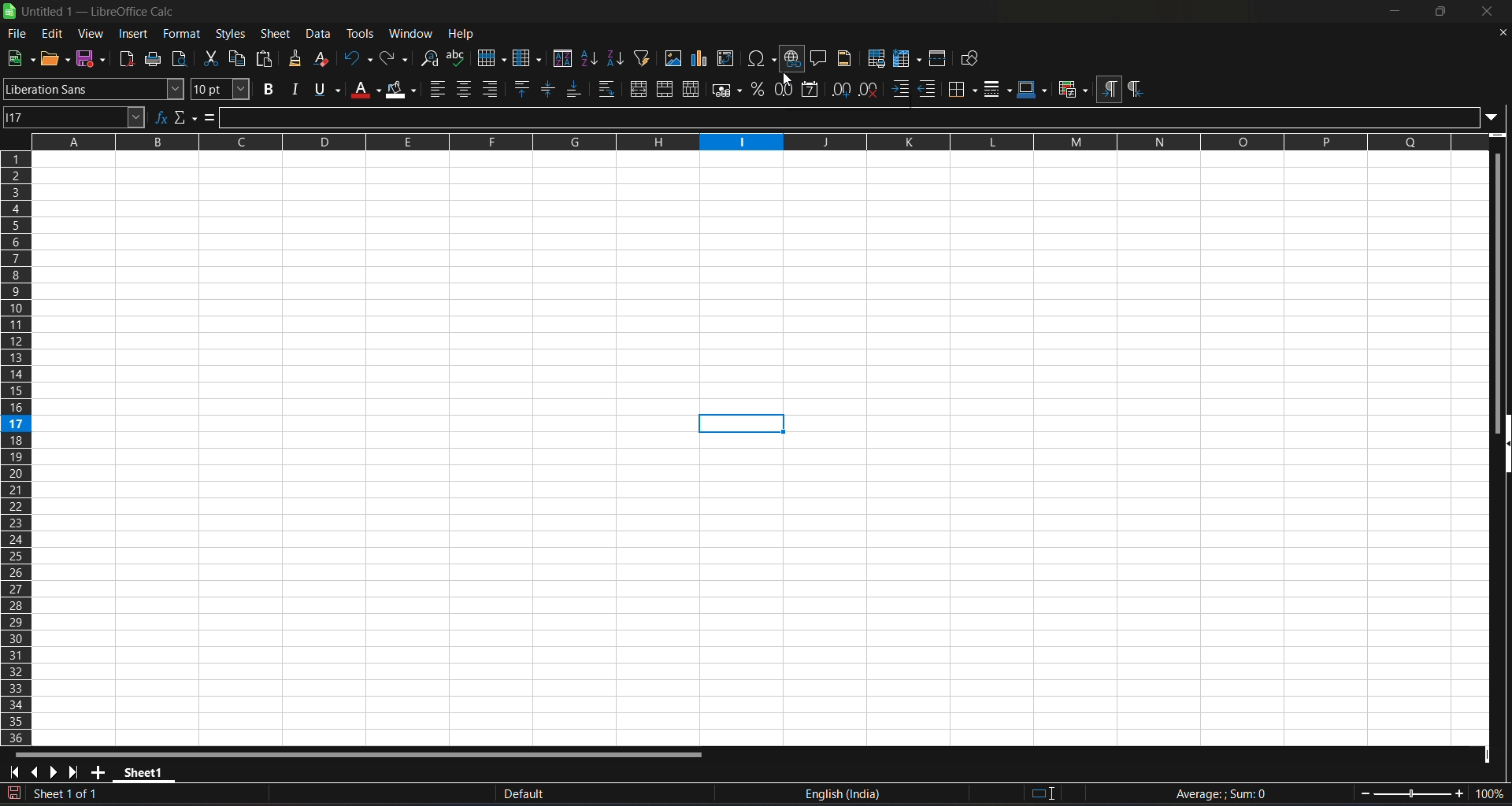 This screenshot has height=806, width=1512. Describe the element at coordinates (860, 115) in the screenshot. I see `input line` at that location.